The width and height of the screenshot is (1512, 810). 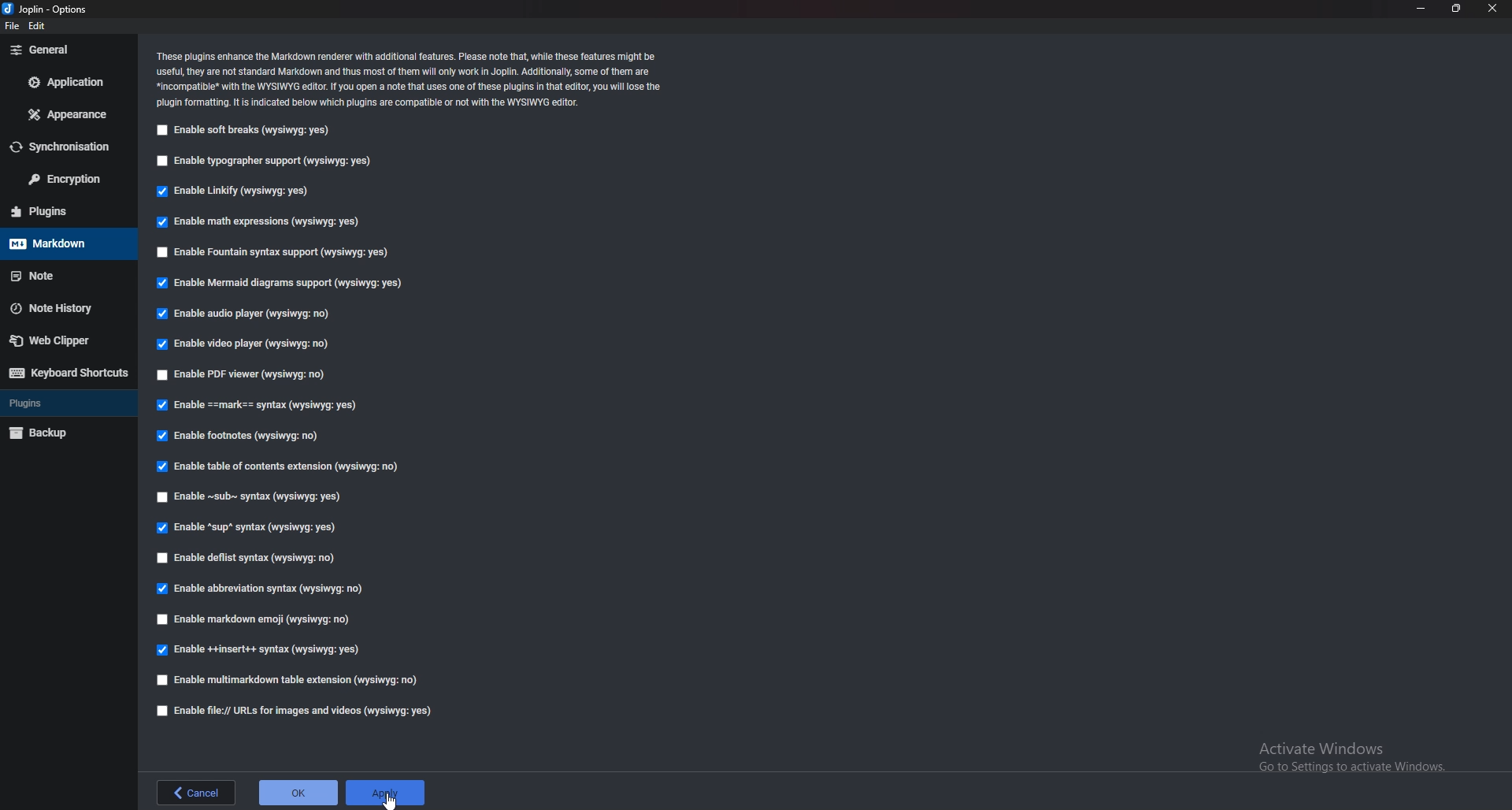 What do you see at coordinates (61, 210) in the screenshot?
I see `plugins` at bounding box center [61, 210].